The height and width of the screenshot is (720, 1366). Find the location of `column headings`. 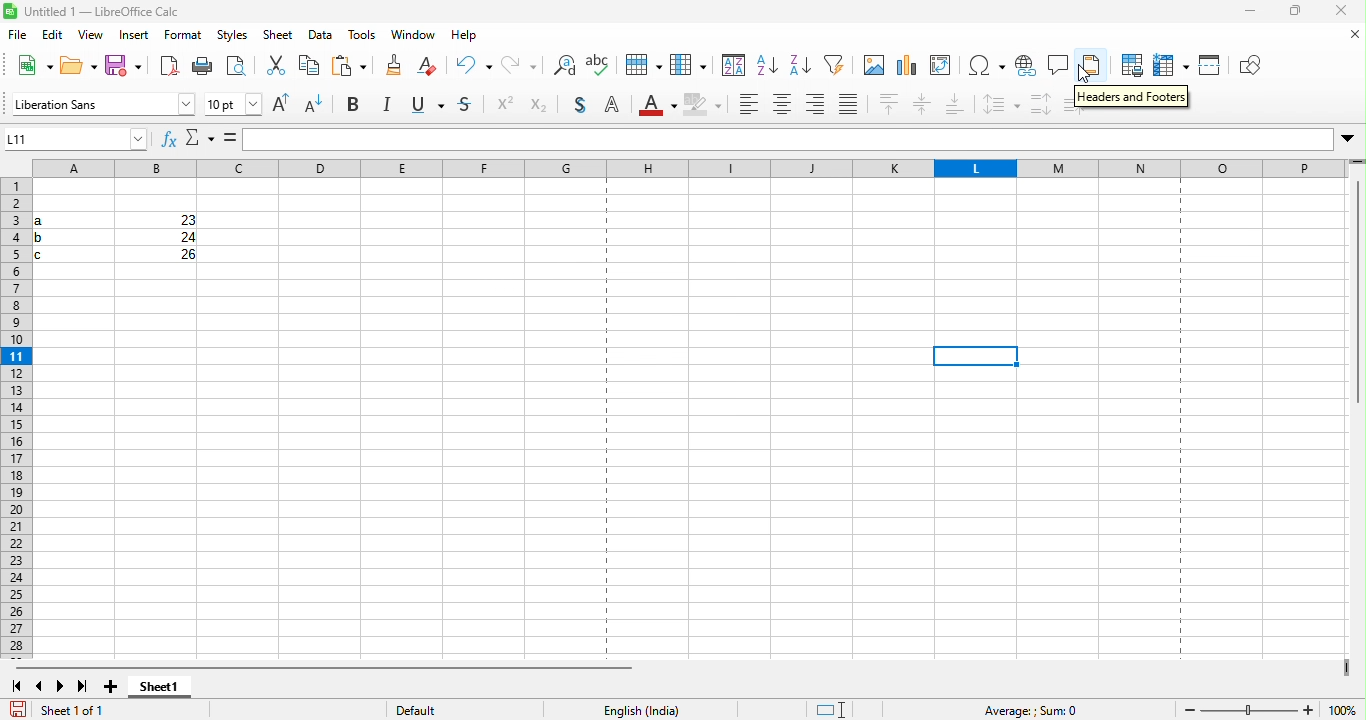

column headings is located at coordinates (691, 170).